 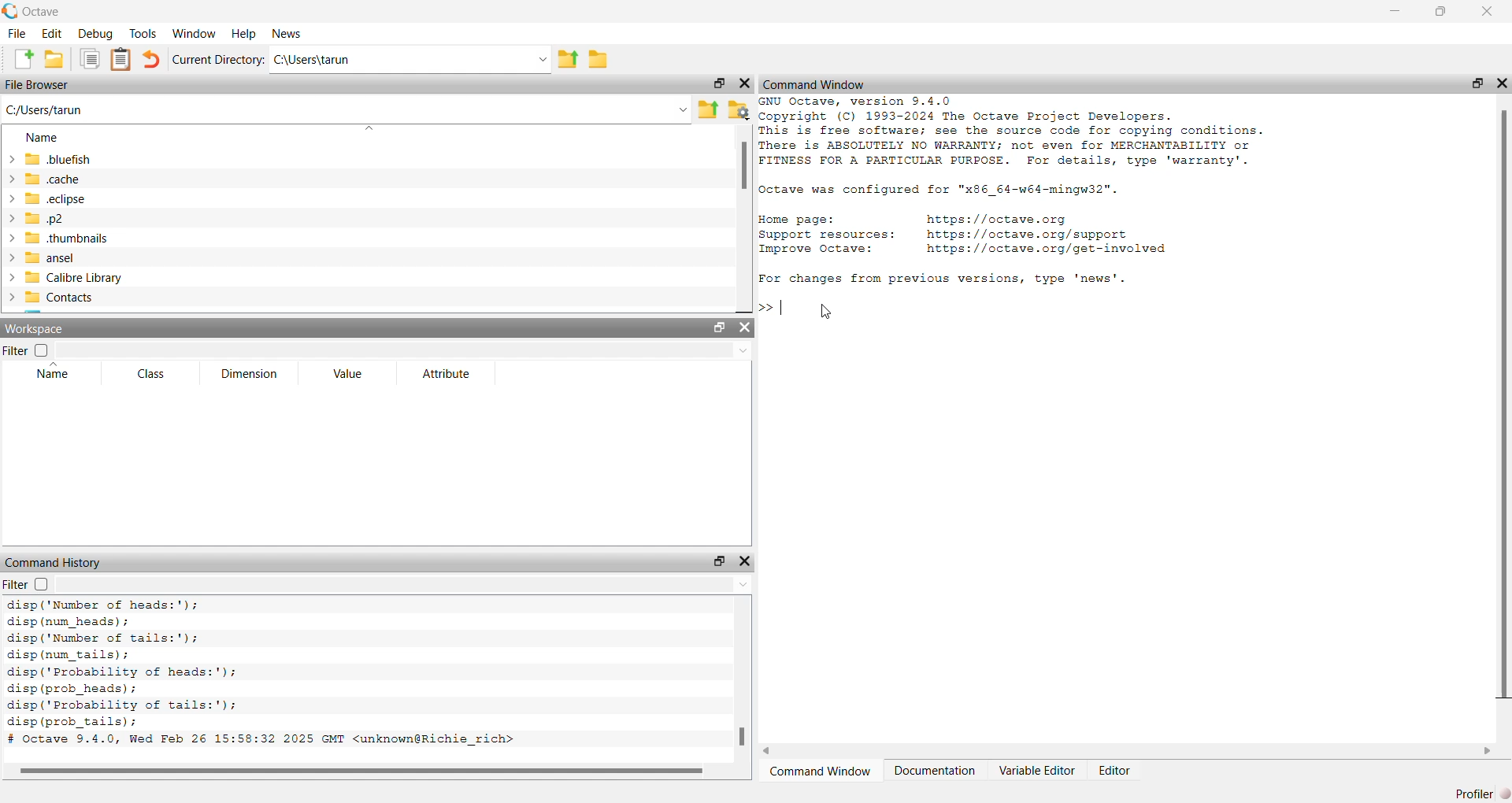 What do you see at coordinates (10, 11) in the screenshot?
I see `Octave logo` at bounding box center [10, 11].